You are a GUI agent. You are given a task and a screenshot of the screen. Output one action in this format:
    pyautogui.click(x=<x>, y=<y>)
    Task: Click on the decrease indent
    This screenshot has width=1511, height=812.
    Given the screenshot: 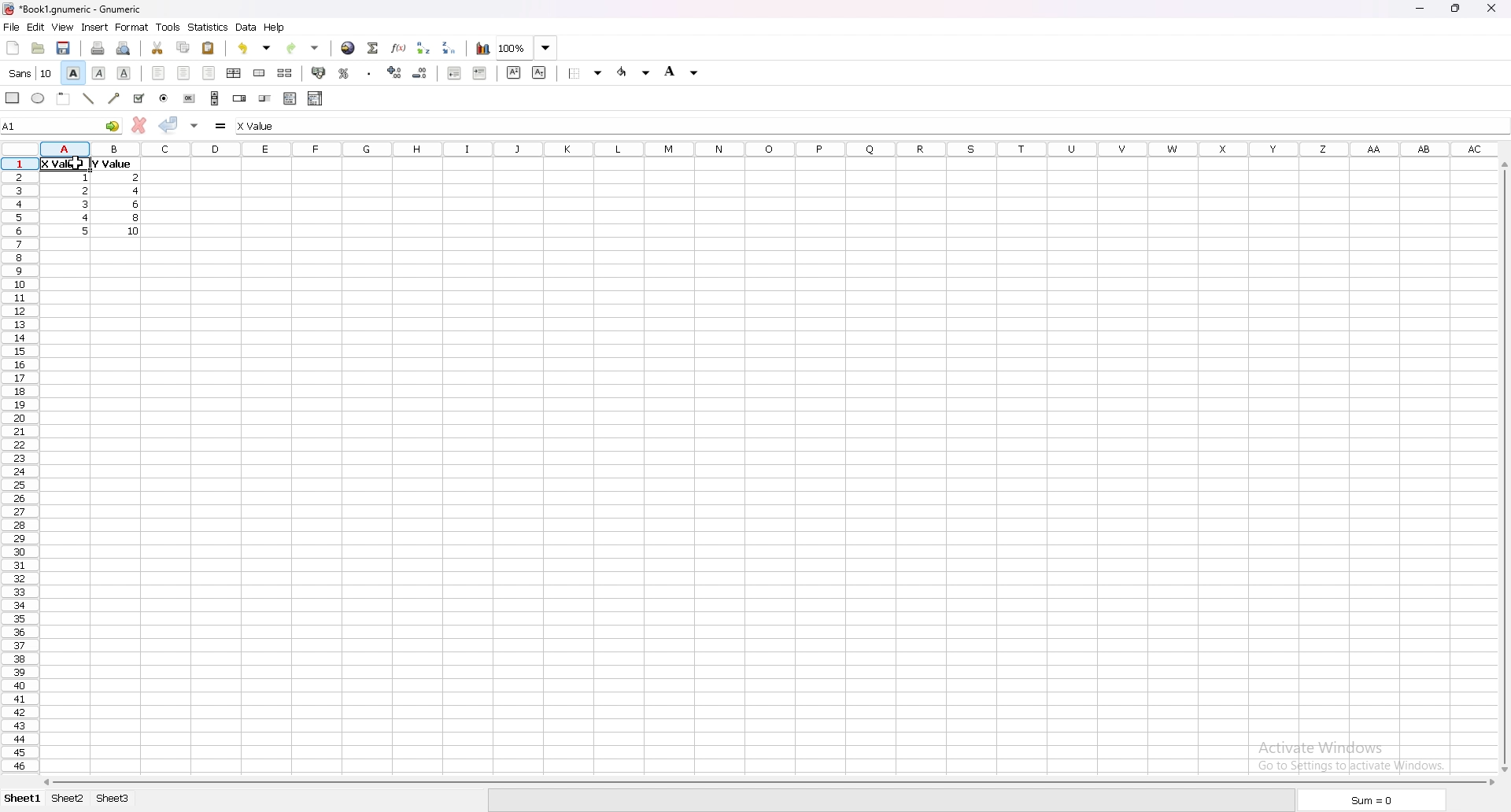 What is the action you would take?
    pyautogui.click(x=455, y=72)
    